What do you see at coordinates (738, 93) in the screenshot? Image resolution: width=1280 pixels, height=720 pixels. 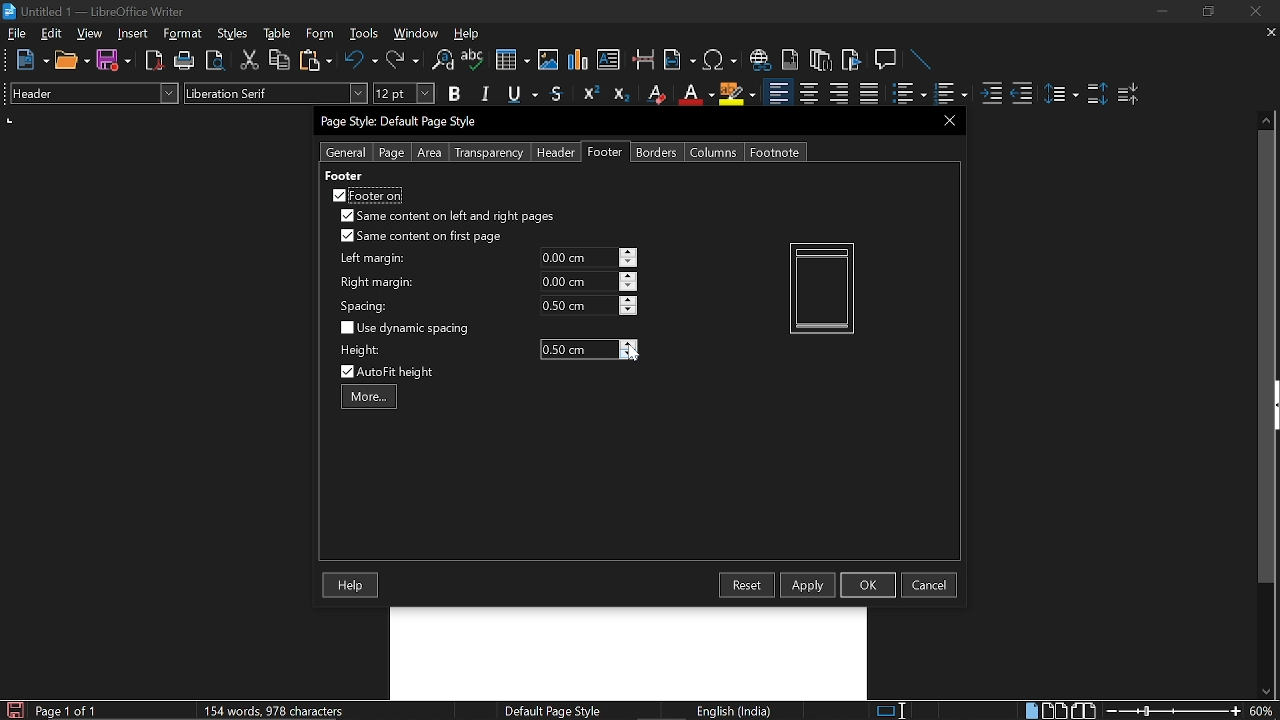 I see `Highlight` at bounding box center [738, 93].